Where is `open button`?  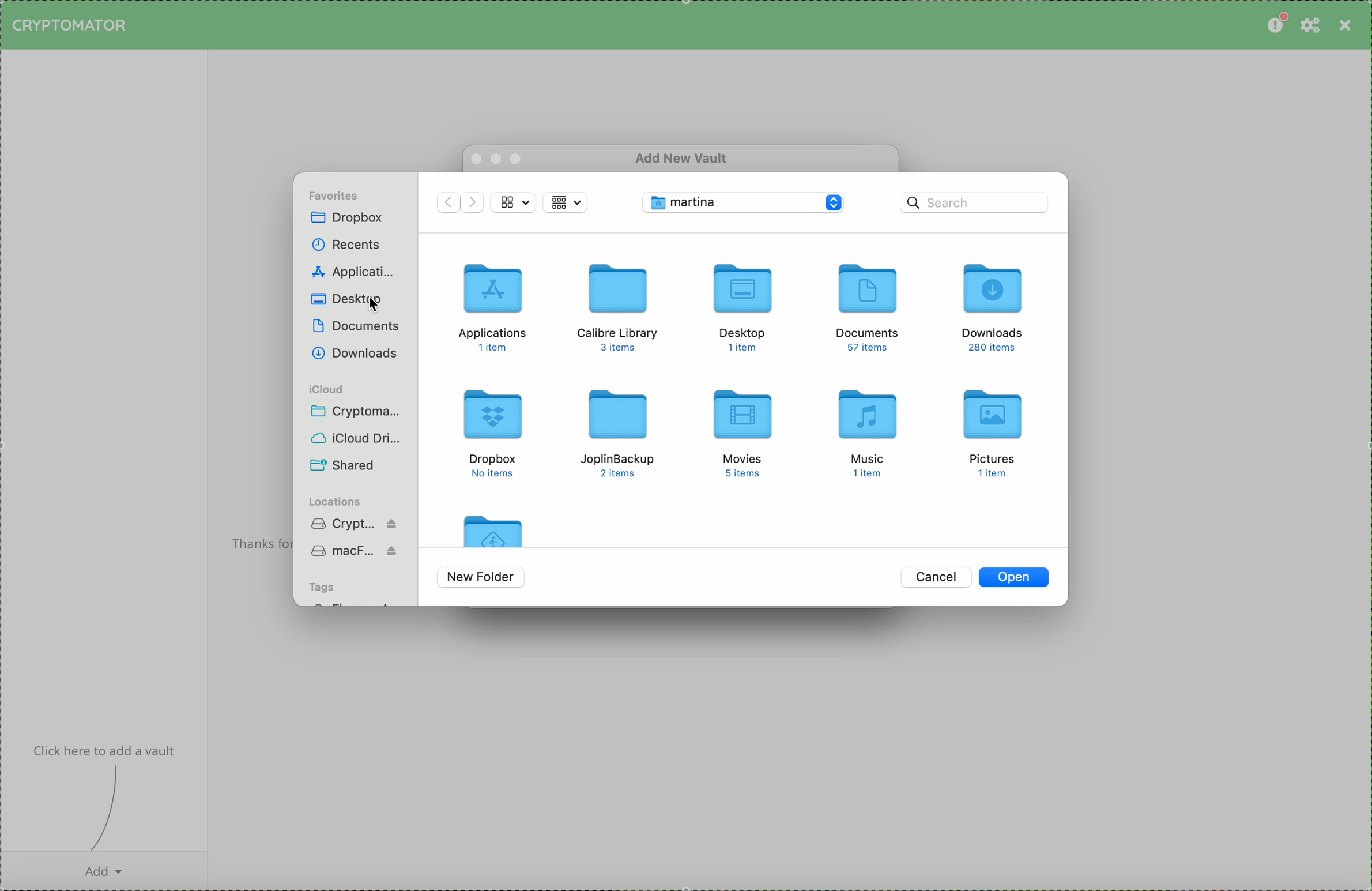
open button is located at coordinates (1015, 578).